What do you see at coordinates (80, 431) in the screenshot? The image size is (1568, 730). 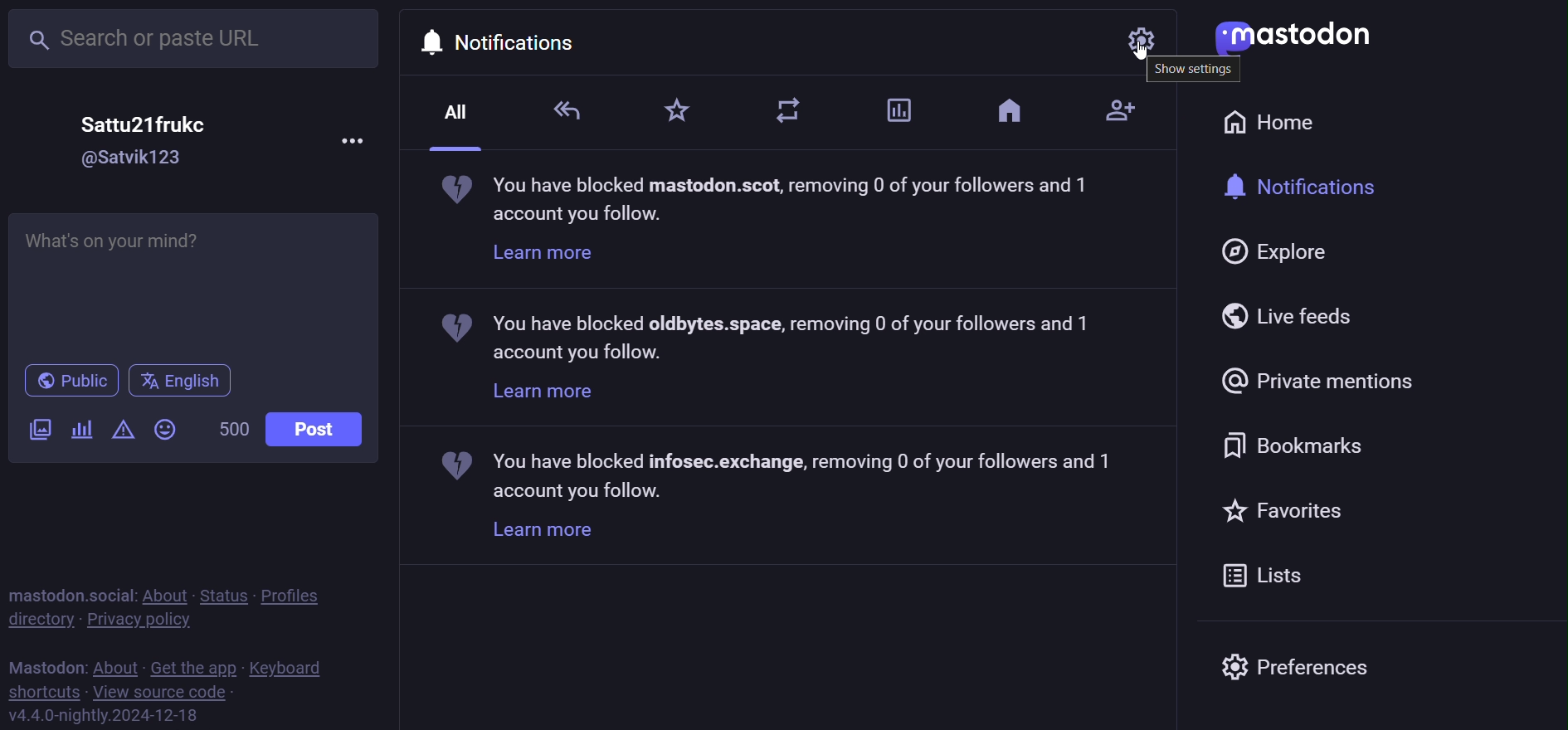 I see `poll` at bounding box center [80, 431].